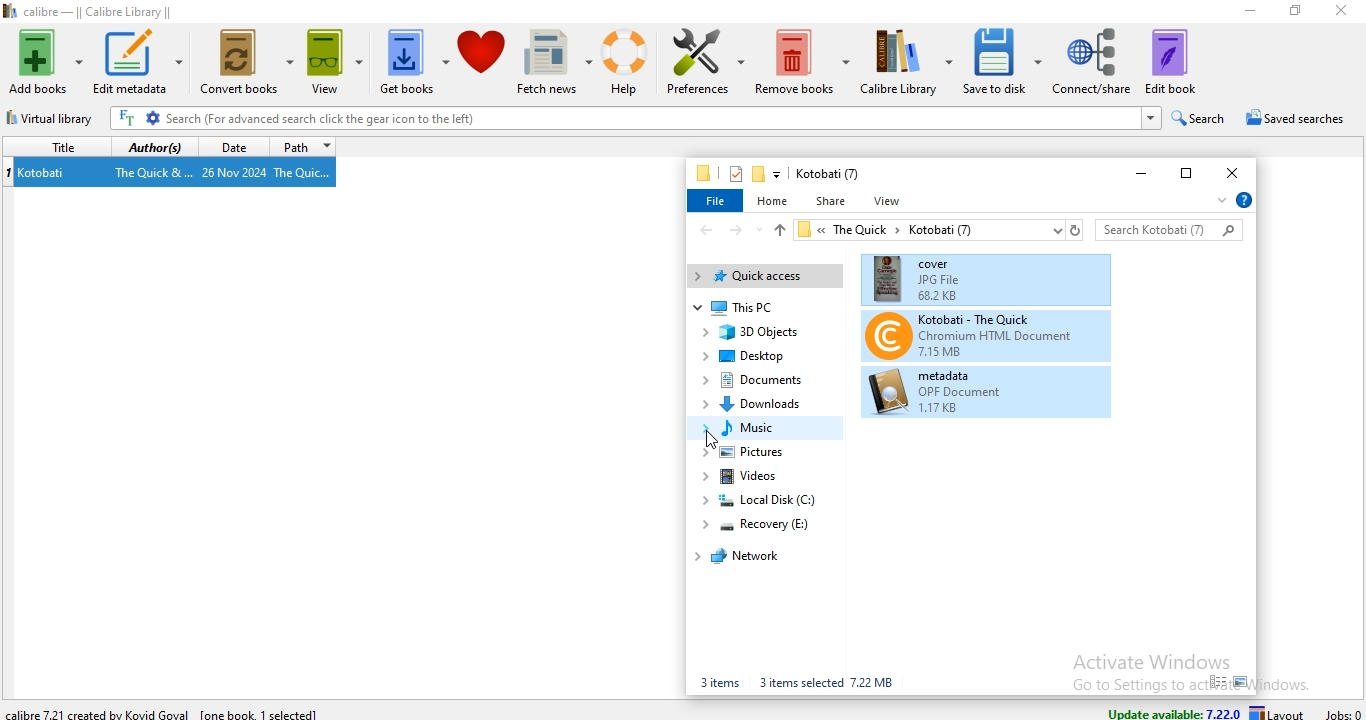  Describe the element at coordinates (705, 230) in the screenshot. I see `back file path` at that location.